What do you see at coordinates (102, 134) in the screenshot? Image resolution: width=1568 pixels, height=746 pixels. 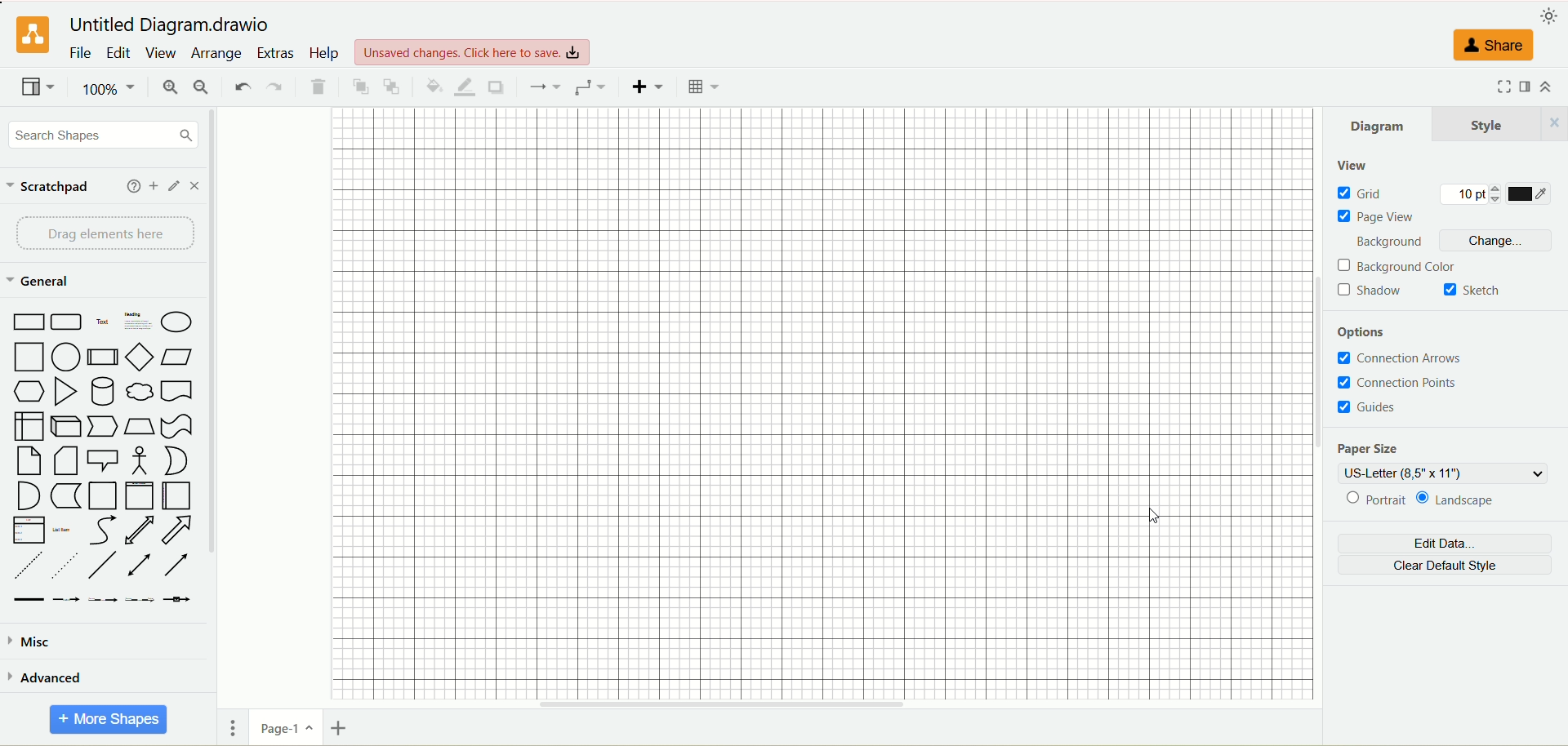 I see `search shapes` at bounding box center [102, 134].